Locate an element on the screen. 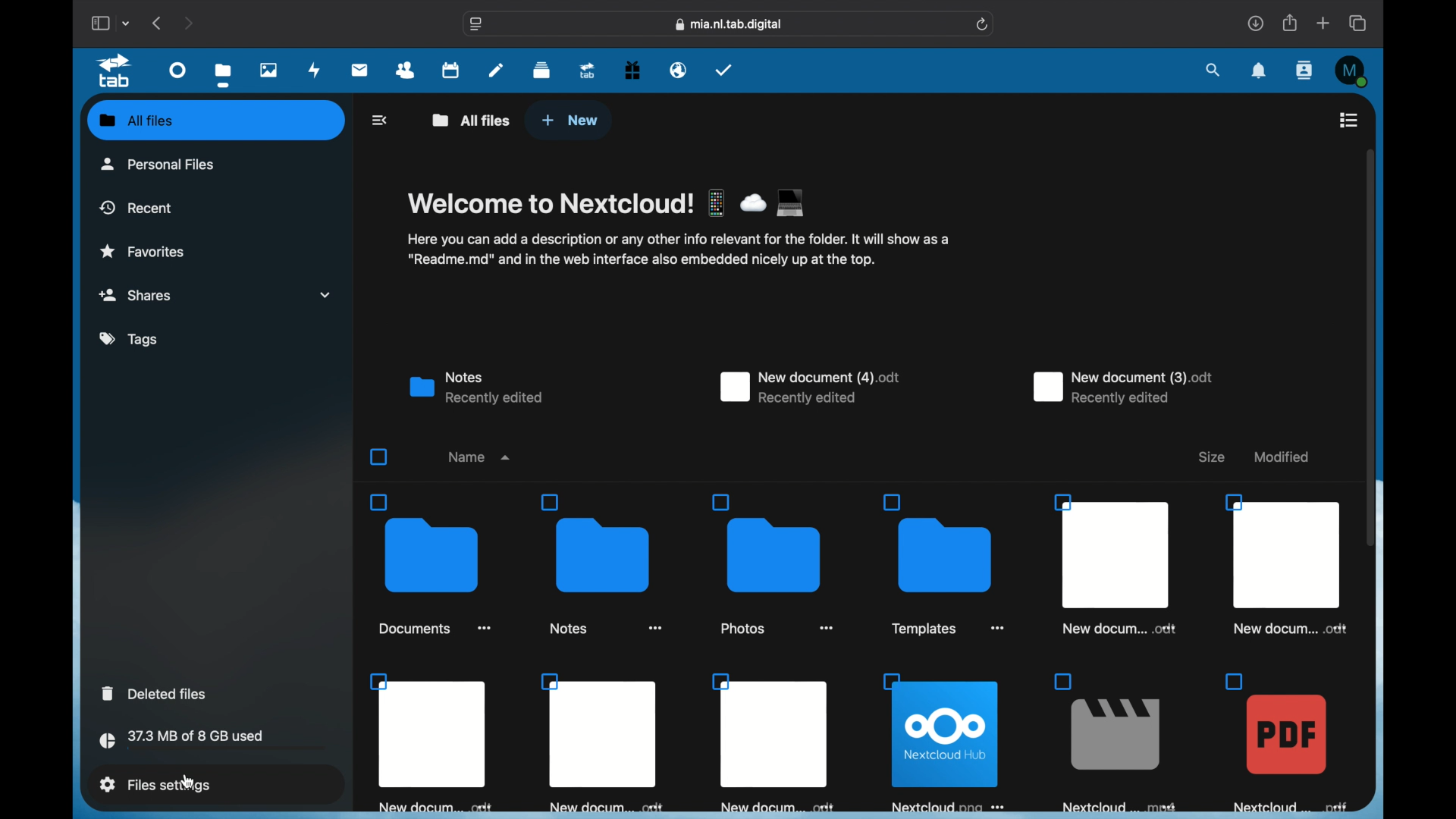 This screenshot has width=1456, height=819. folder is located at coordinates (942, 564).